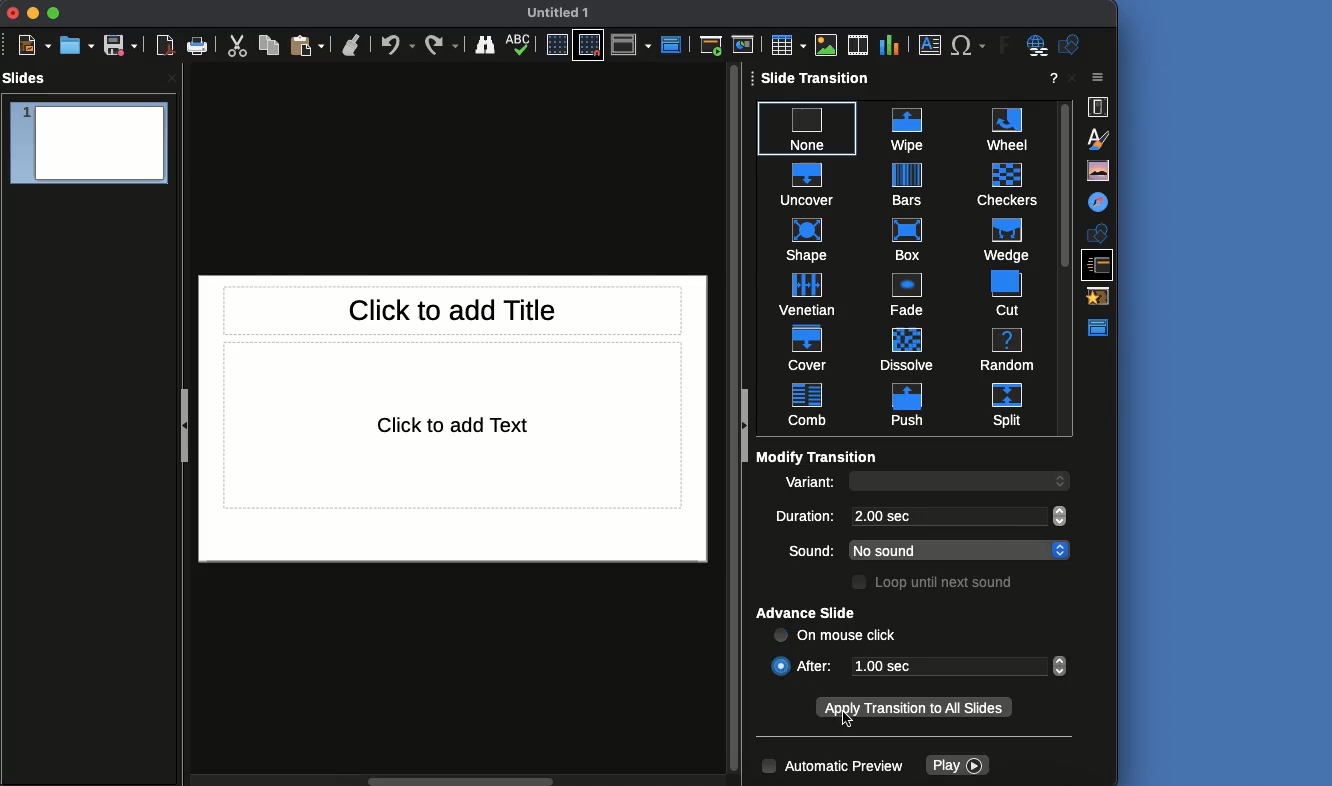 Image resolution: width=1332 pixels, height=786 pixels. What do you see at coordinates (947, 515) in the screenshot?
I see `2.00 sec` at bounding box center [947, 515].